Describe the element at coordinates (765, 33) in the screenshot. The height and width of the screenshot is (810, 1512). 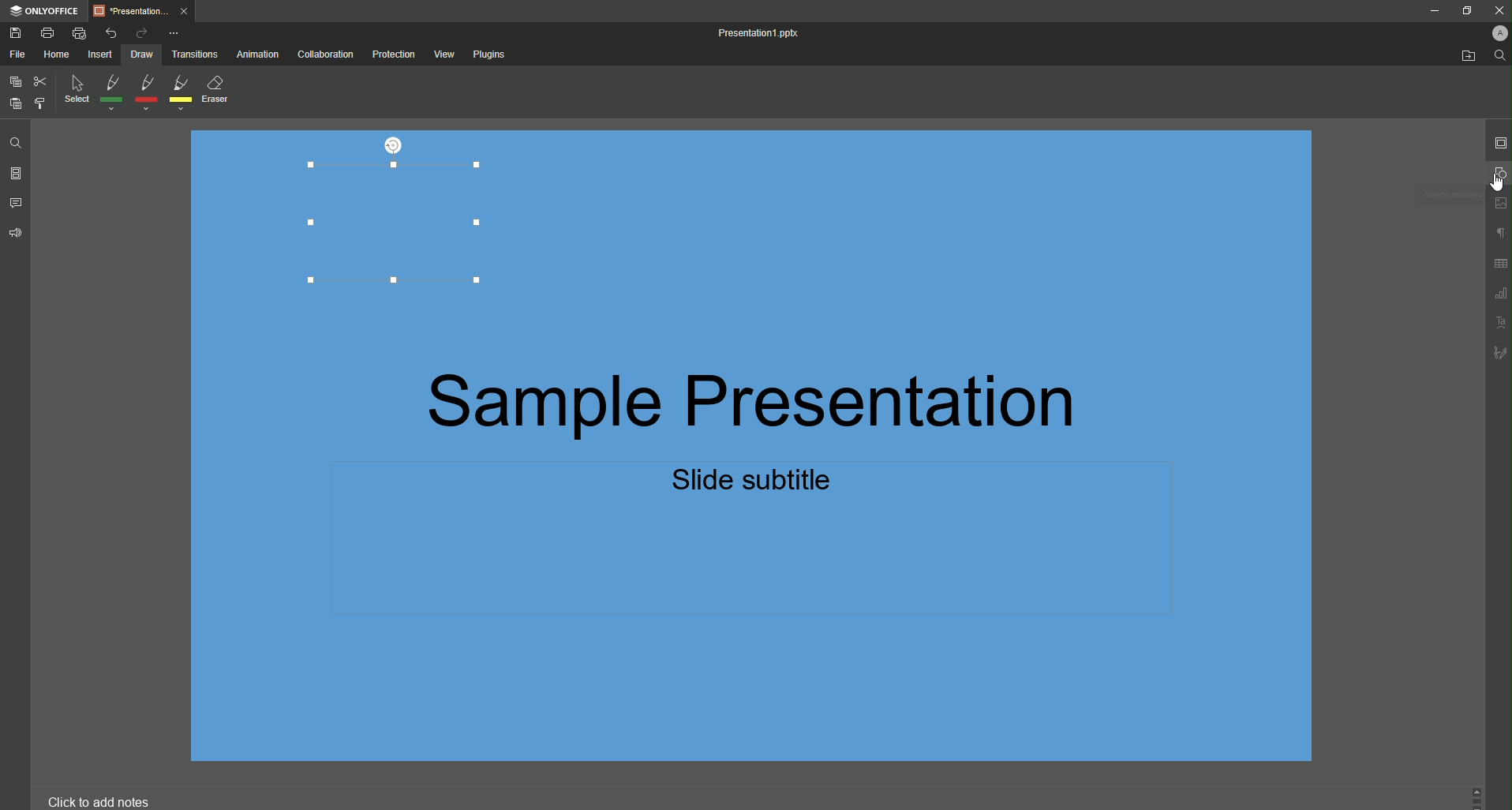
I see `Presentation1` at that location.